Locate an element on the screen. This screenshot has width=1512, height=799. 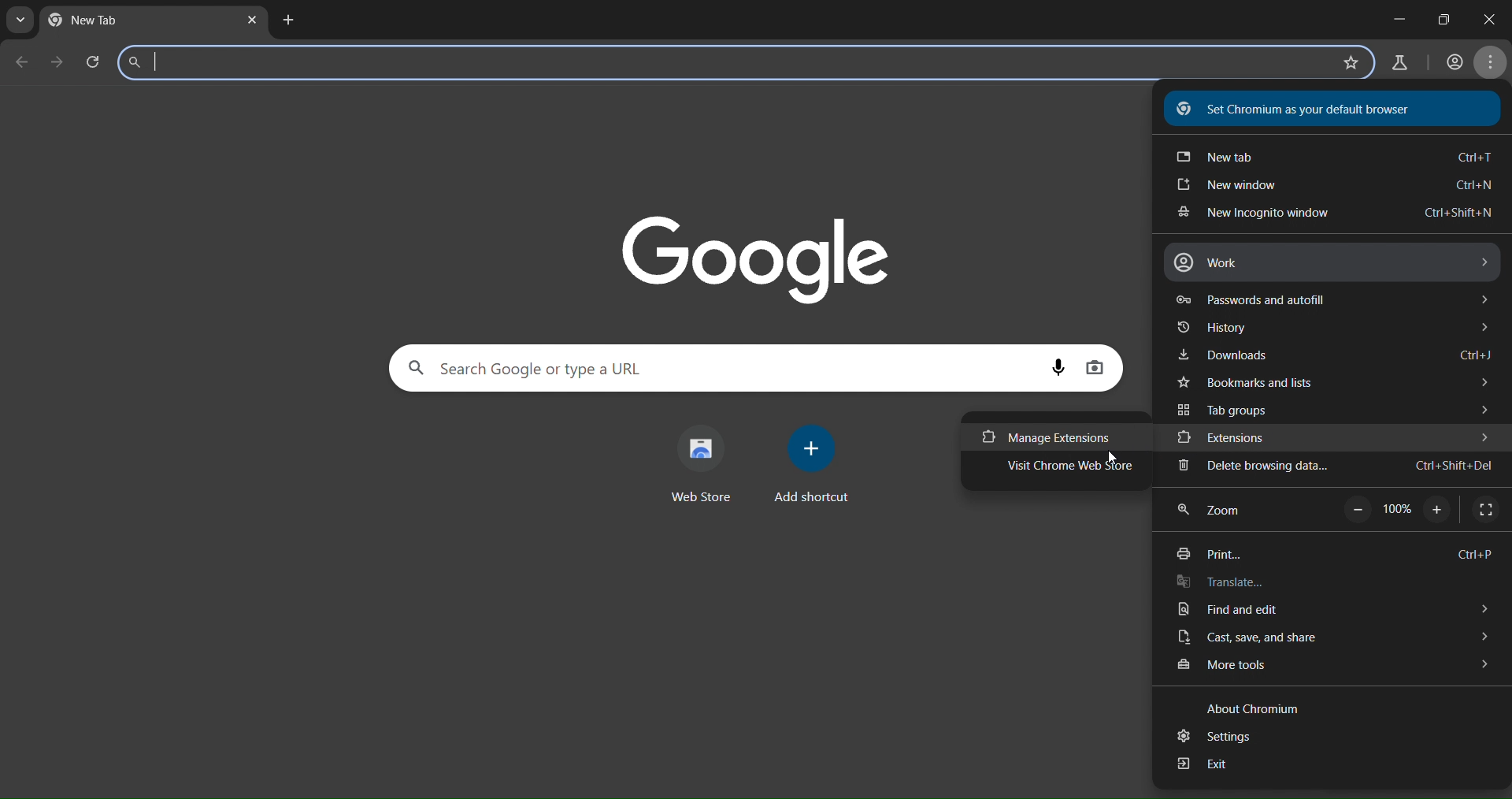
bookmarks and tabs is located at coordinates (1338, 385).